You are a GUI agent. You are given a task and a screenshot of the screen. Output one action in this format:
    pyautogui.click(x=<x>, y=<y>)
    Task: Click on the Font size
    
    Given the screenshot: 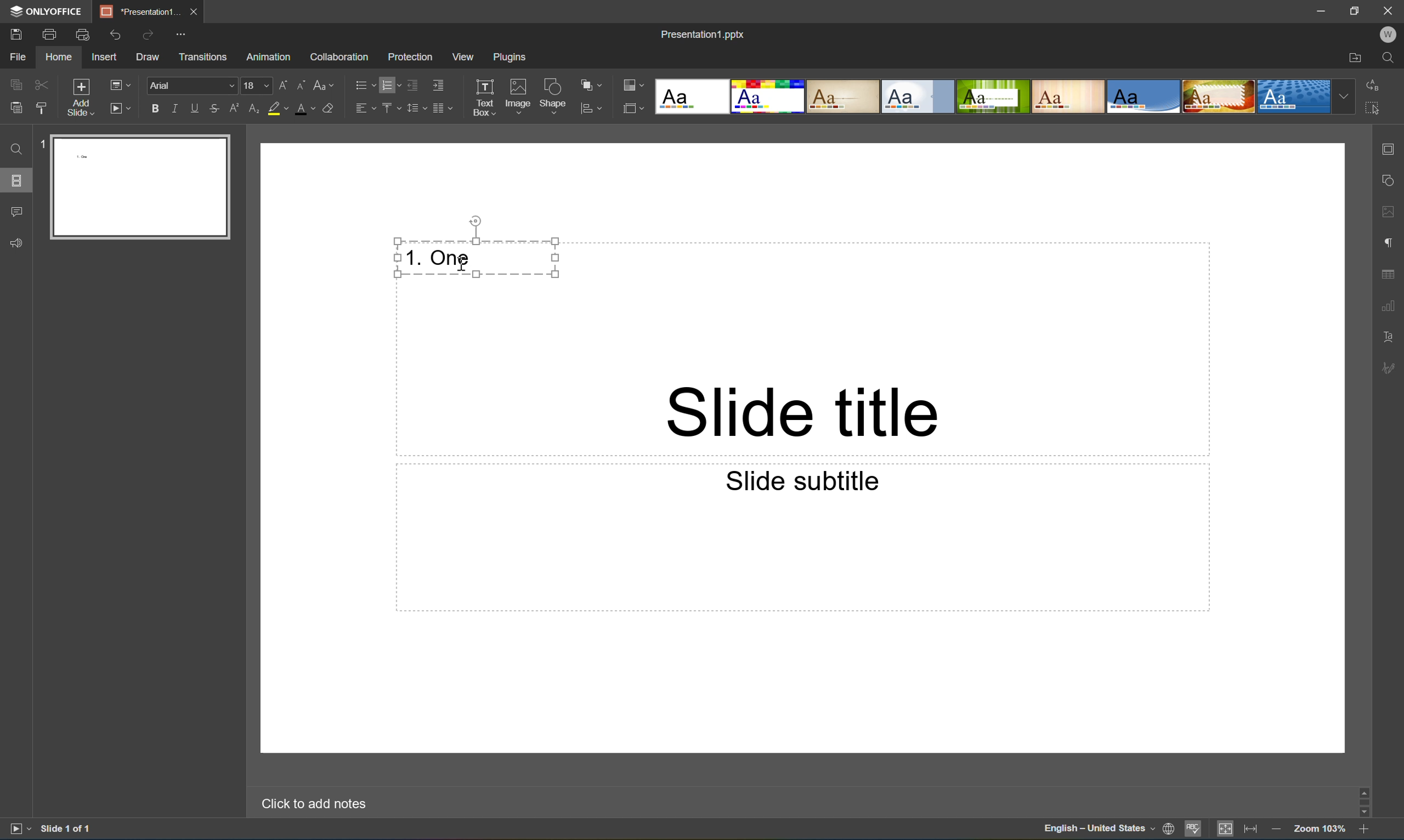 What is the action you would take?
    pyautogui.click(x=258, y=87)
    